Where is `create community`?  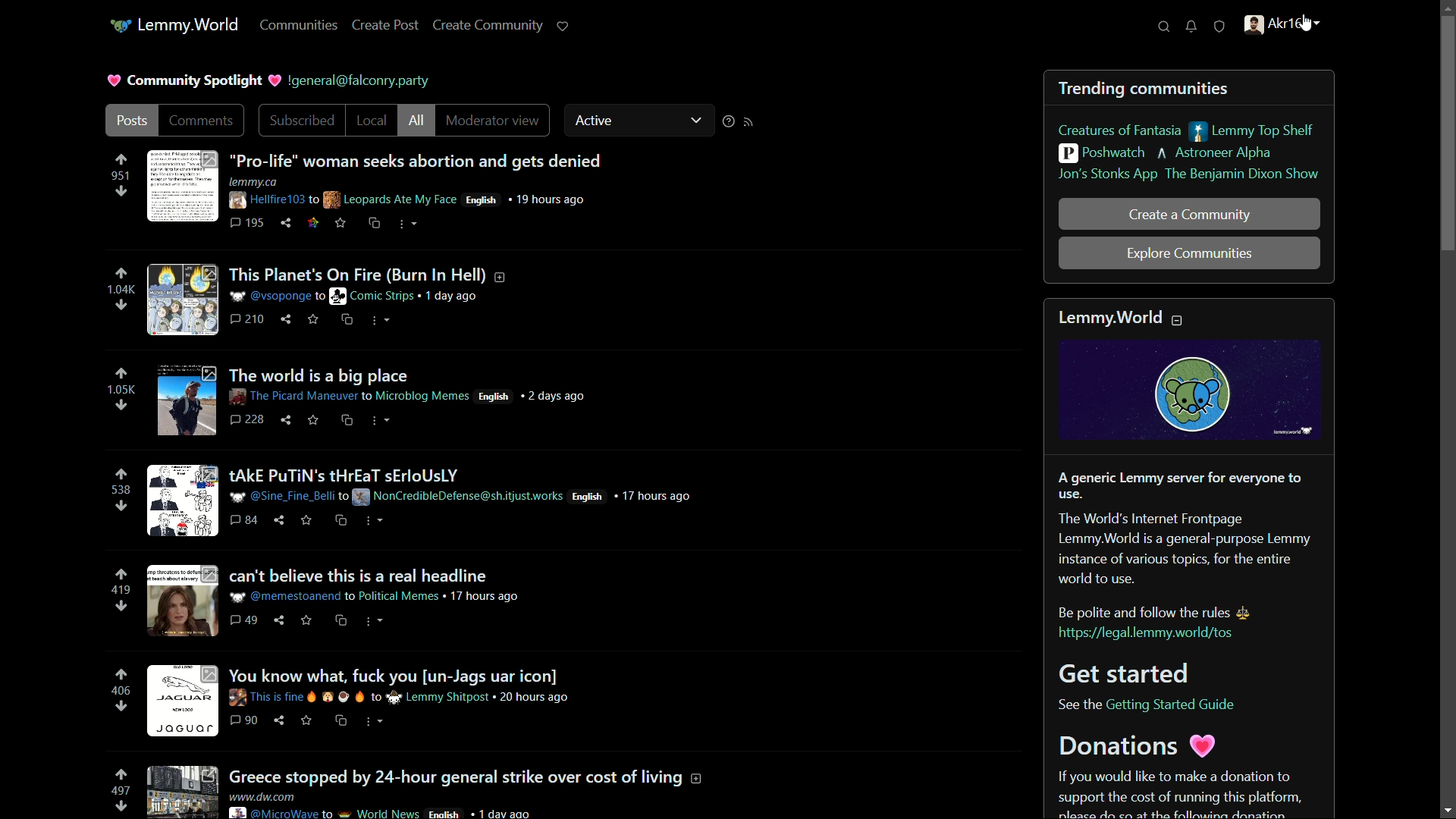 create community is located at coordinates (489, 25).